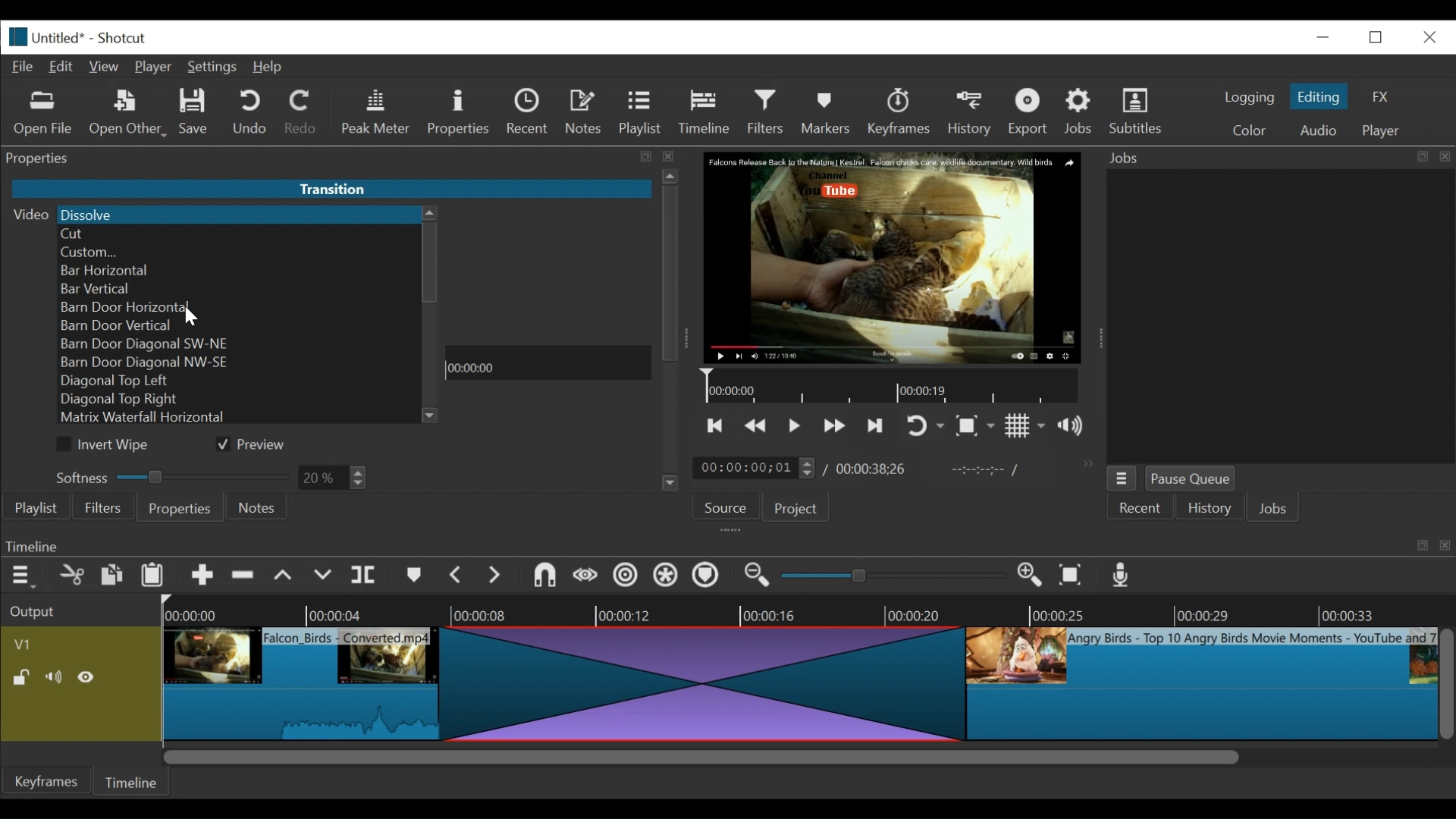 The width and height of the screenshot is (1456, 819). What do you see at coordinates (252, 113) in the screenshot?
I see `Undo` at bounding box center [252, 113].